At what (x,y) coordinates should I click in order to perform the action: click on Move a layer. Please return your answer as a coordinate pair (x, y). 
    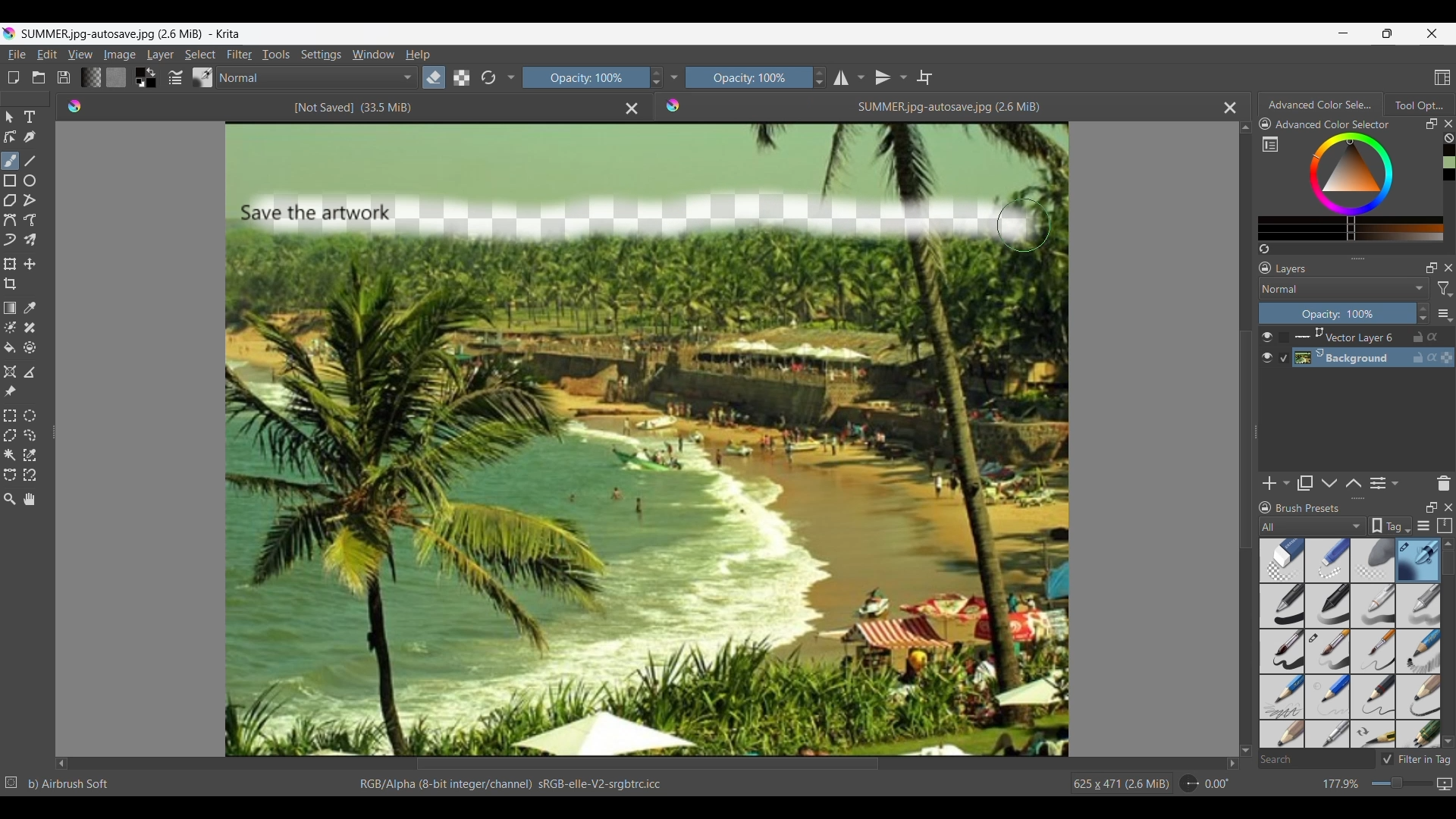
    Looking at the image, I should click on (30, 263).